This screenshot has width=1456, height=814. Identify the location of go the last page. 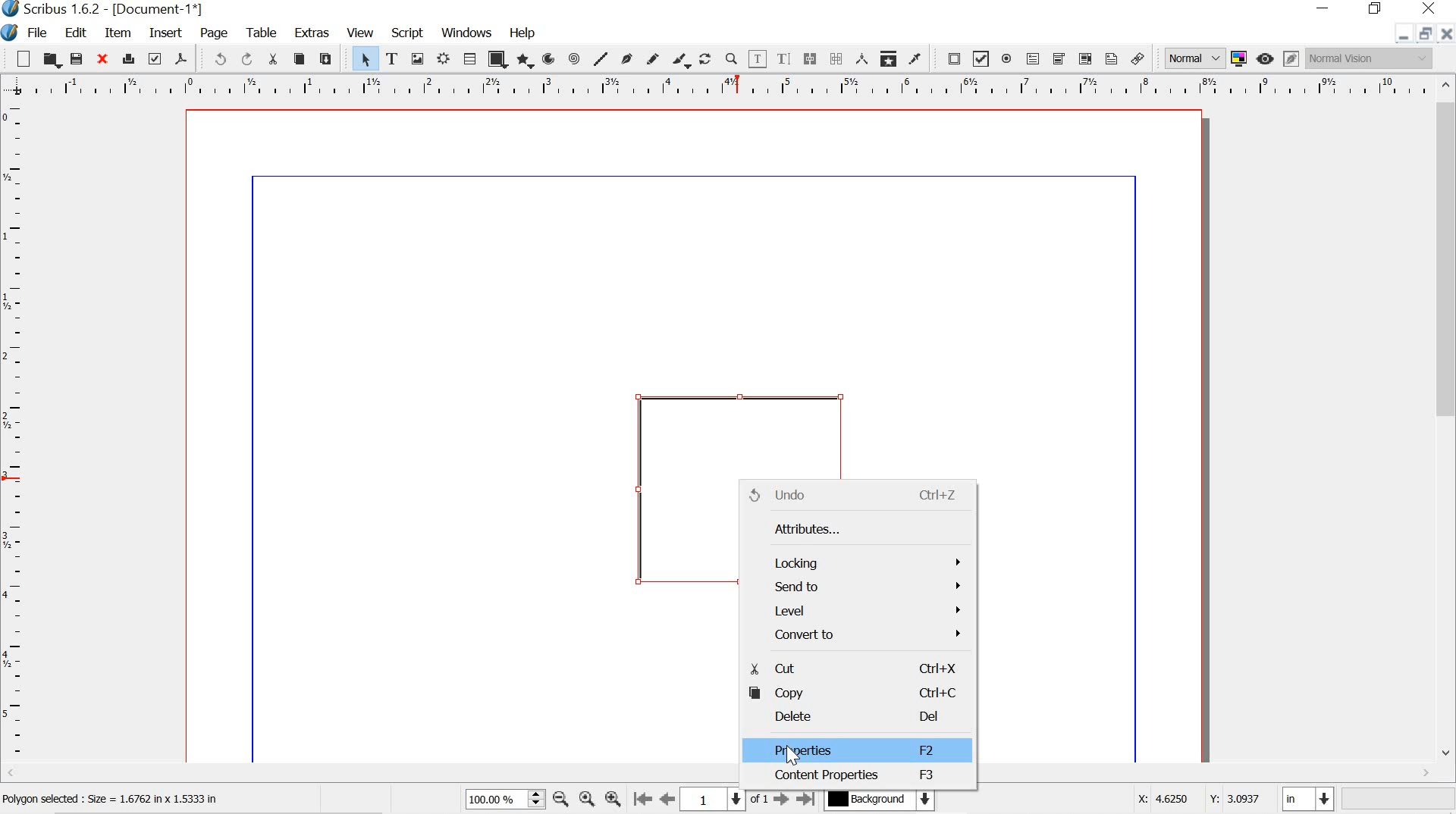
(807, 797).